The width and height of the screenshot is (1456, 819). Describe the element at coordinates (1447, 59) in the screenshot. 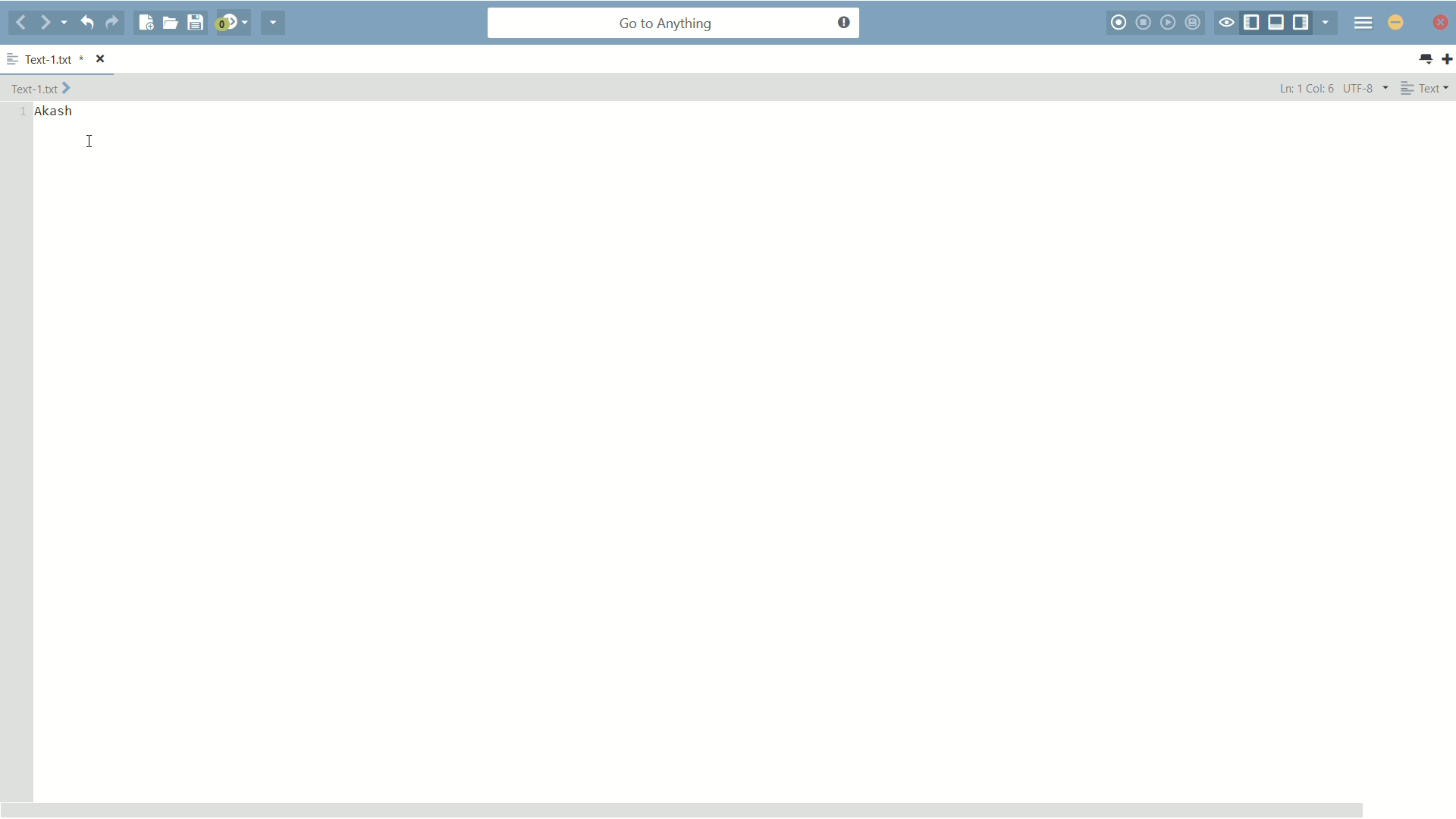

I see `new tab` at that location.